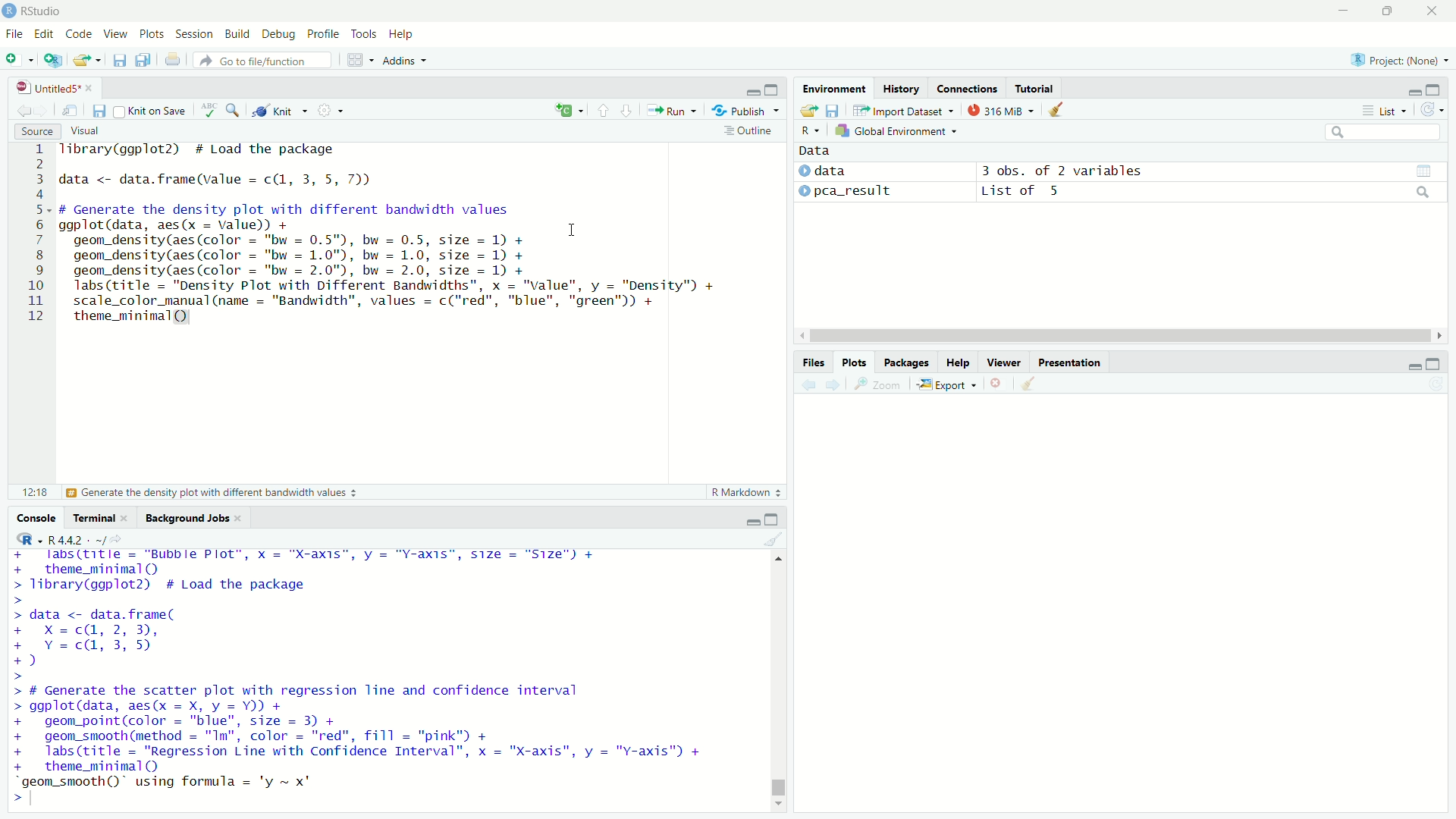 The width and height of the screenshot is (1456, 819). I want to click on View the current working current directory, so click(117, 538).